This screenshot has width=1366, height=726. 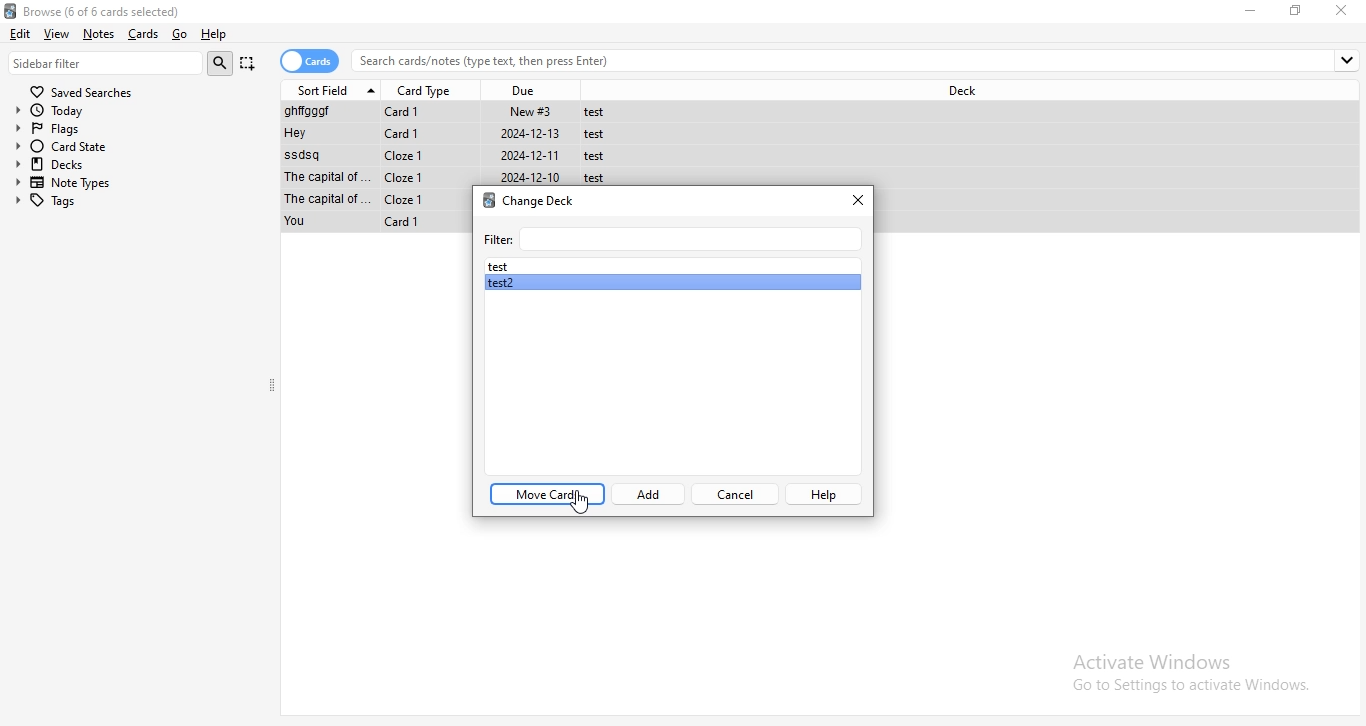 What do you see at coordinates (456, 156) in the screenshot?
I see `File` at bounding box center [456, 156].